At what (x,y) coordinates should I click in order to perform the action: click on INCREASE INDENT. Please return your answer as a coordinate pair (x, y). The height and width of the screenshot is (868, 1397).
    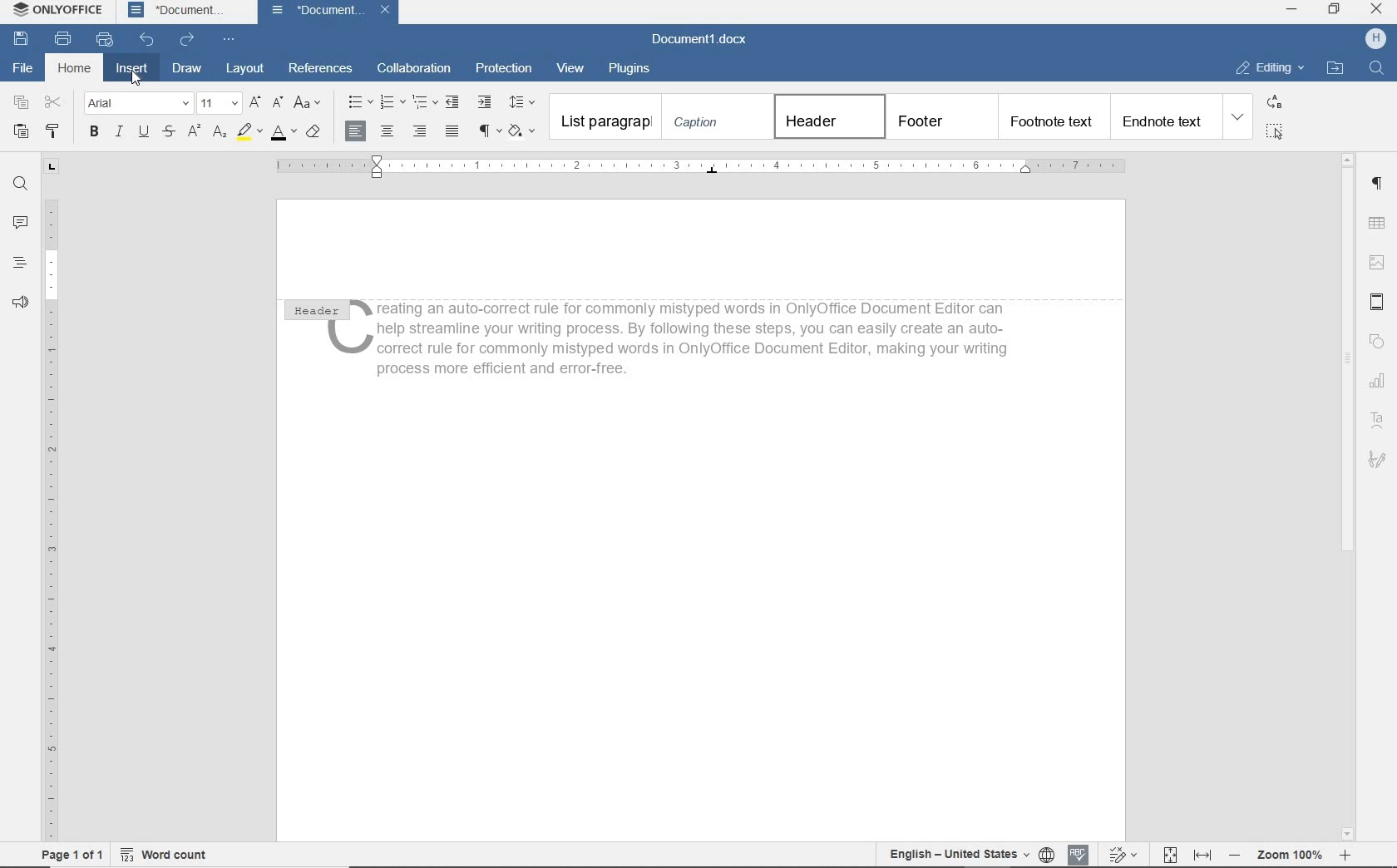
    Looking at the image, I should click on (484, 103).